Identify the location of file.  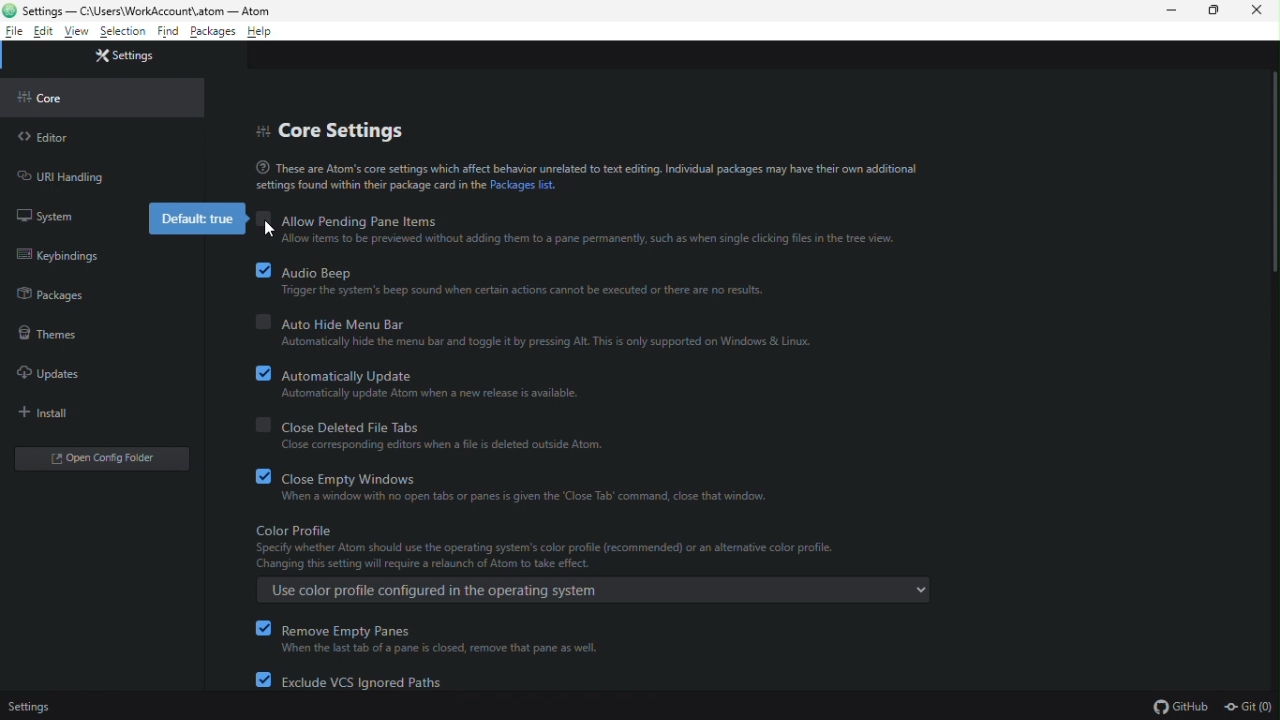
(14, 31).